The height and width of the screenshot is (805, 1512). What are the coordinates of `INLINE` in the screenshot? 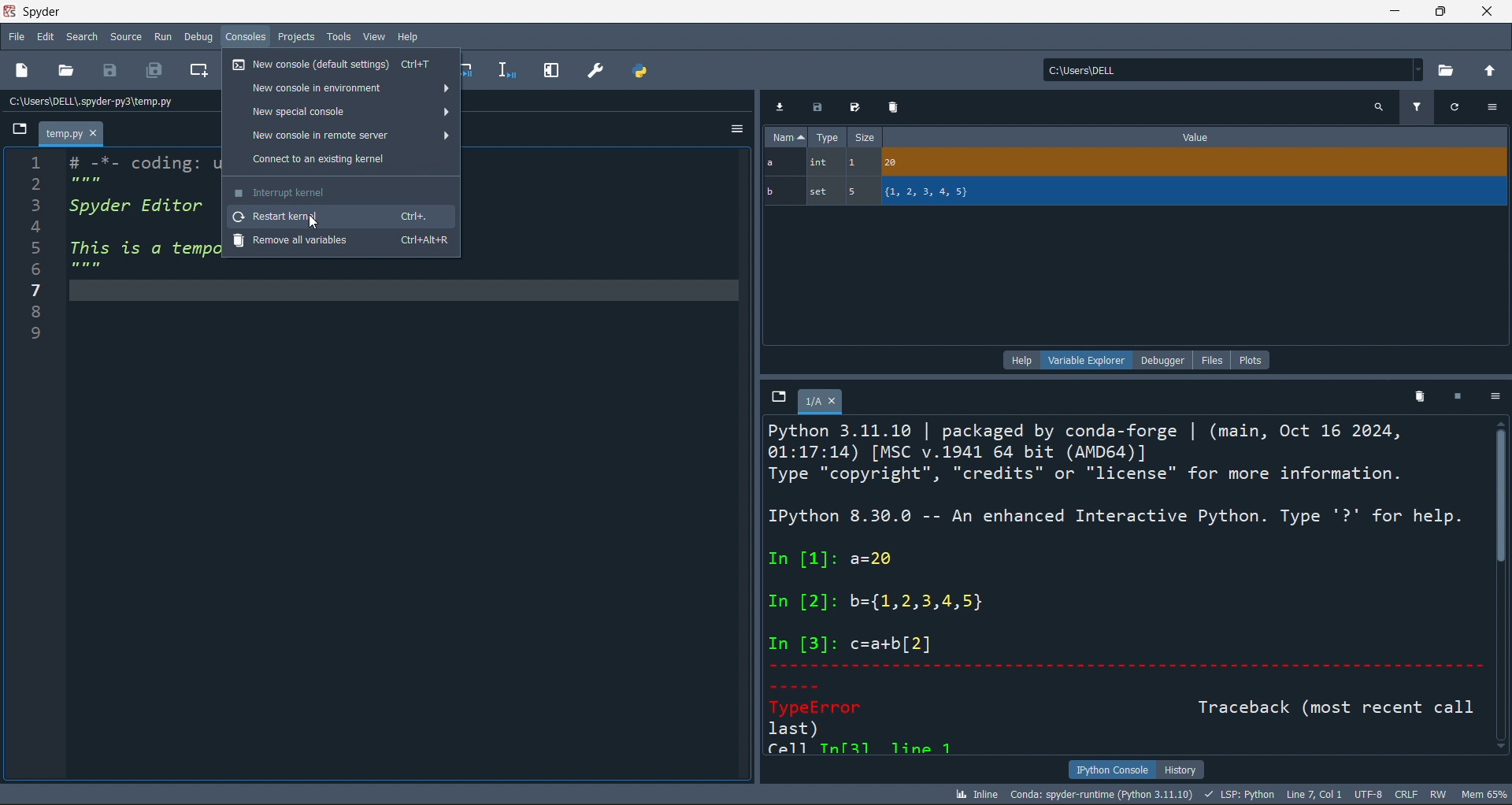 It's located at (976, 793).